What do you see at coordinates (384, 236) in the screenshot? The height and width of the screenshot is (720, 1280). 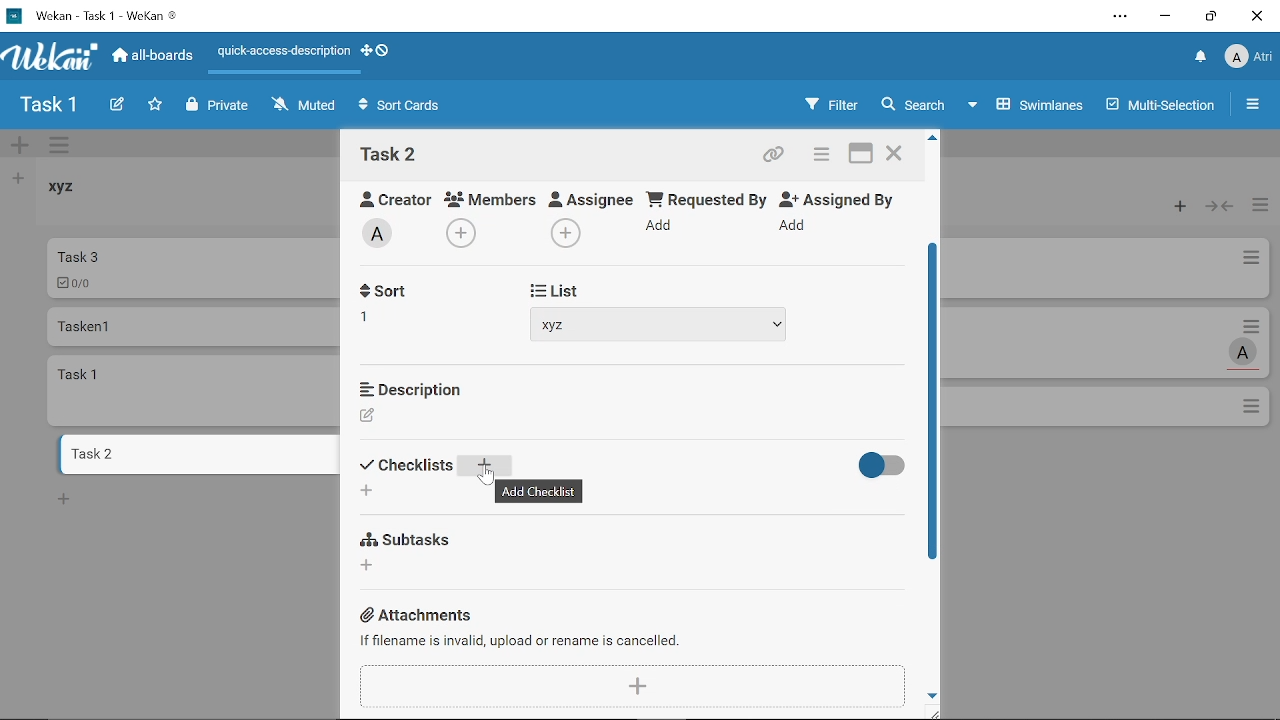 I see `Add labe;` at bounding box center [384, 236].